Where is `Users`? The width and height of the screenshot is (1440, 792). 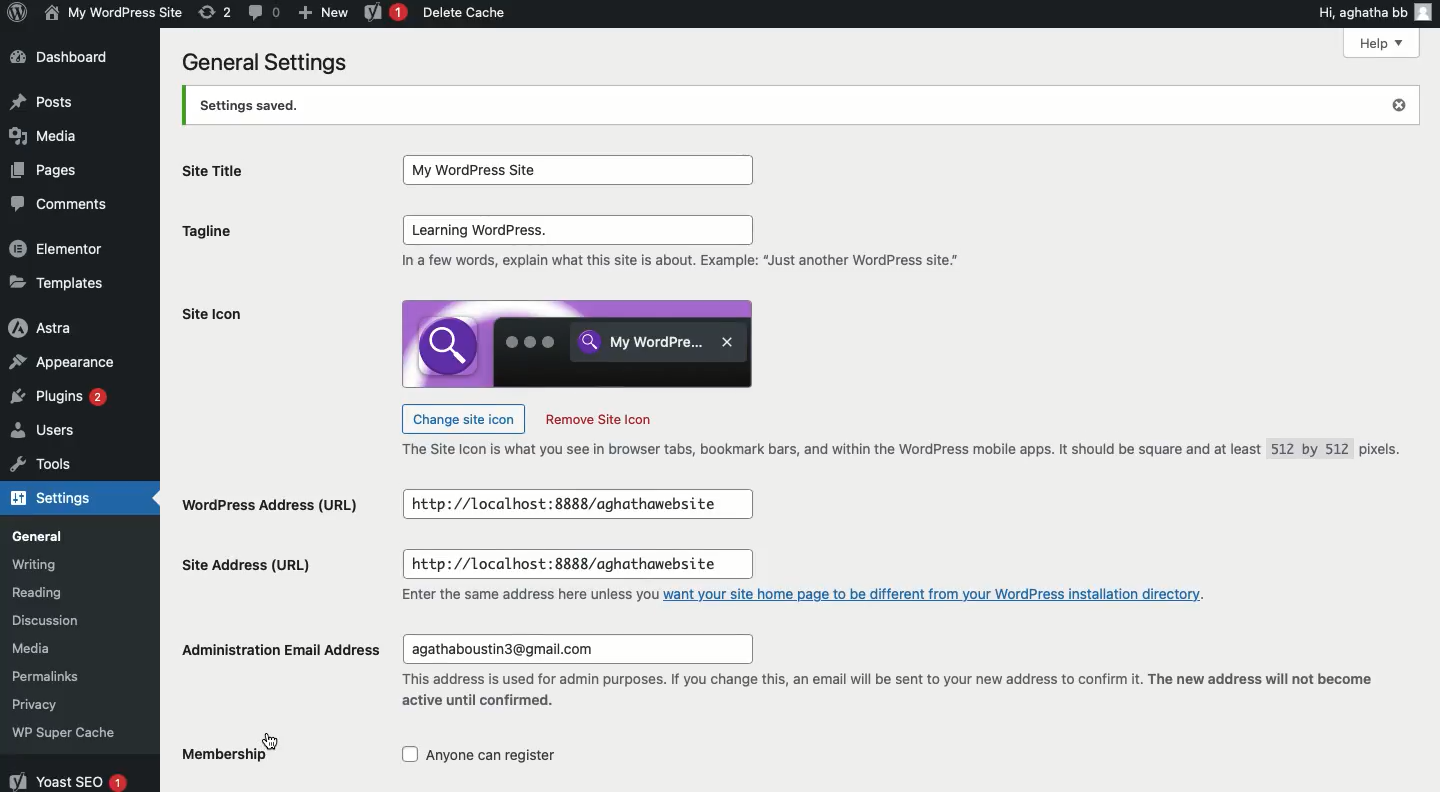
Users is located at coordinates (59, 432).